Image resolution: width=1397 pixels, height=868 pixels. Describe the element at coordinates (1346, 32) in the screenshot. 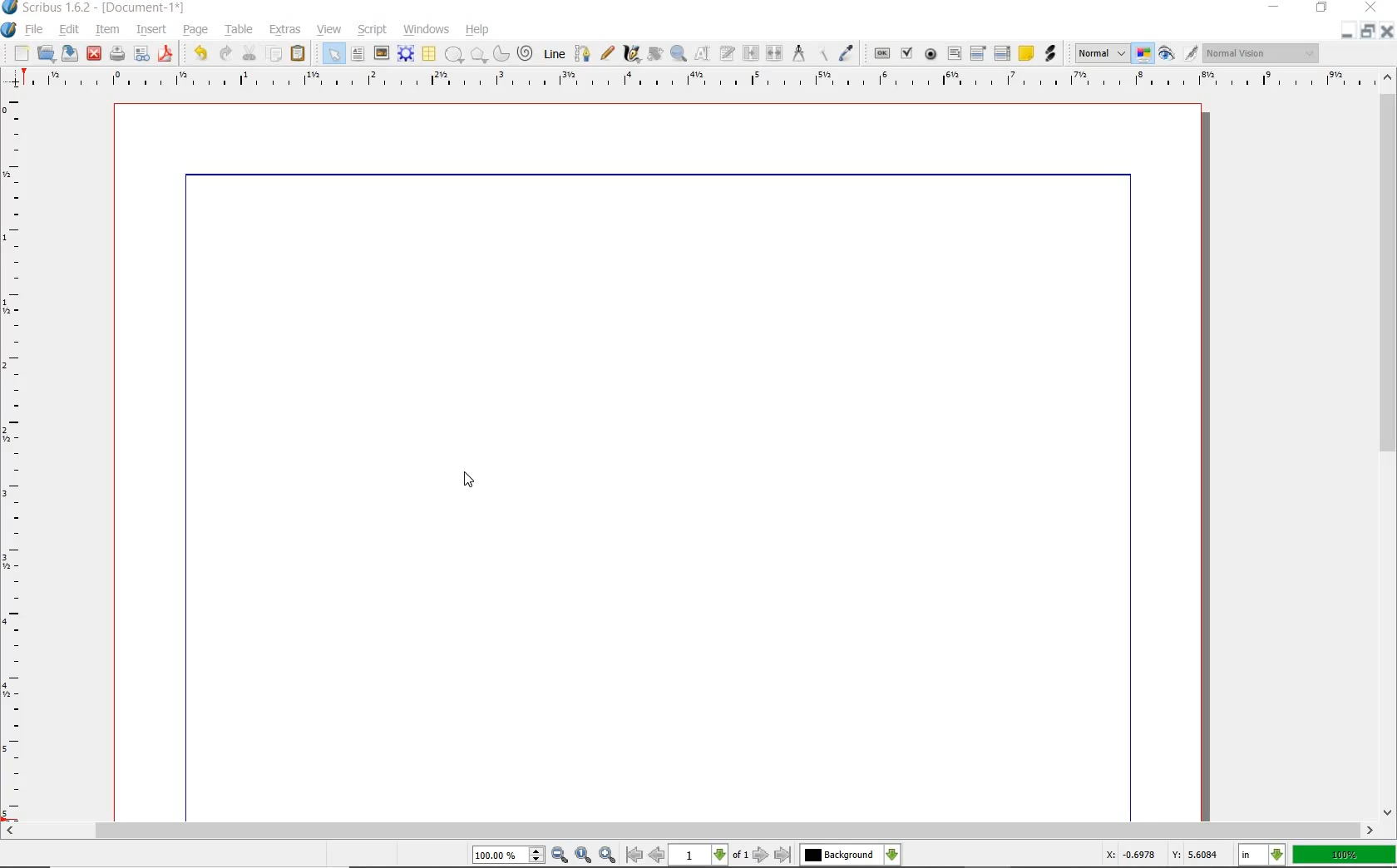

I see `MINIMIZE` at that location.